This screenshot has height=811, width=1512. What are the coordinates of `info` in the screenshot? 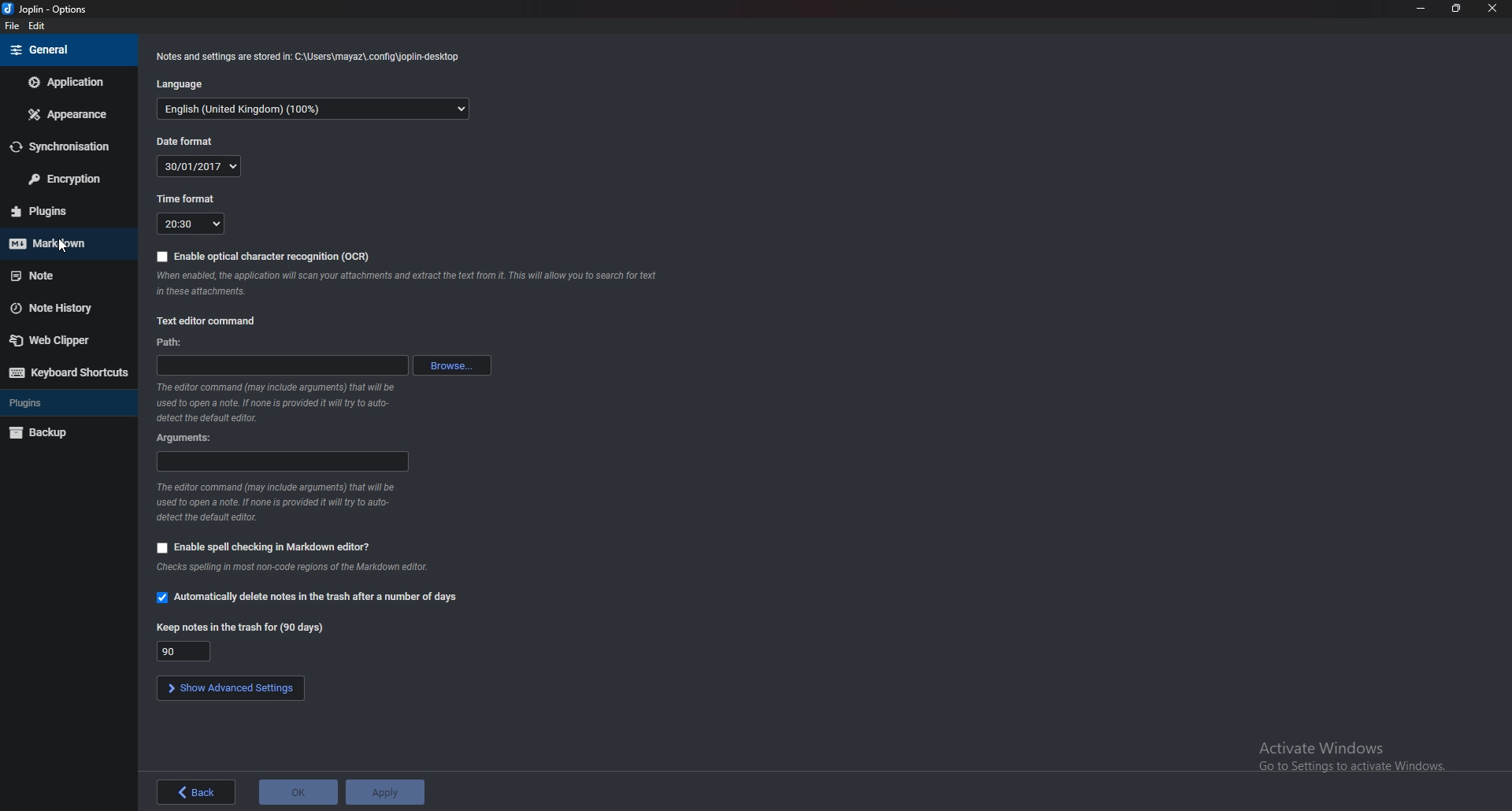 It's located at (296, 568).